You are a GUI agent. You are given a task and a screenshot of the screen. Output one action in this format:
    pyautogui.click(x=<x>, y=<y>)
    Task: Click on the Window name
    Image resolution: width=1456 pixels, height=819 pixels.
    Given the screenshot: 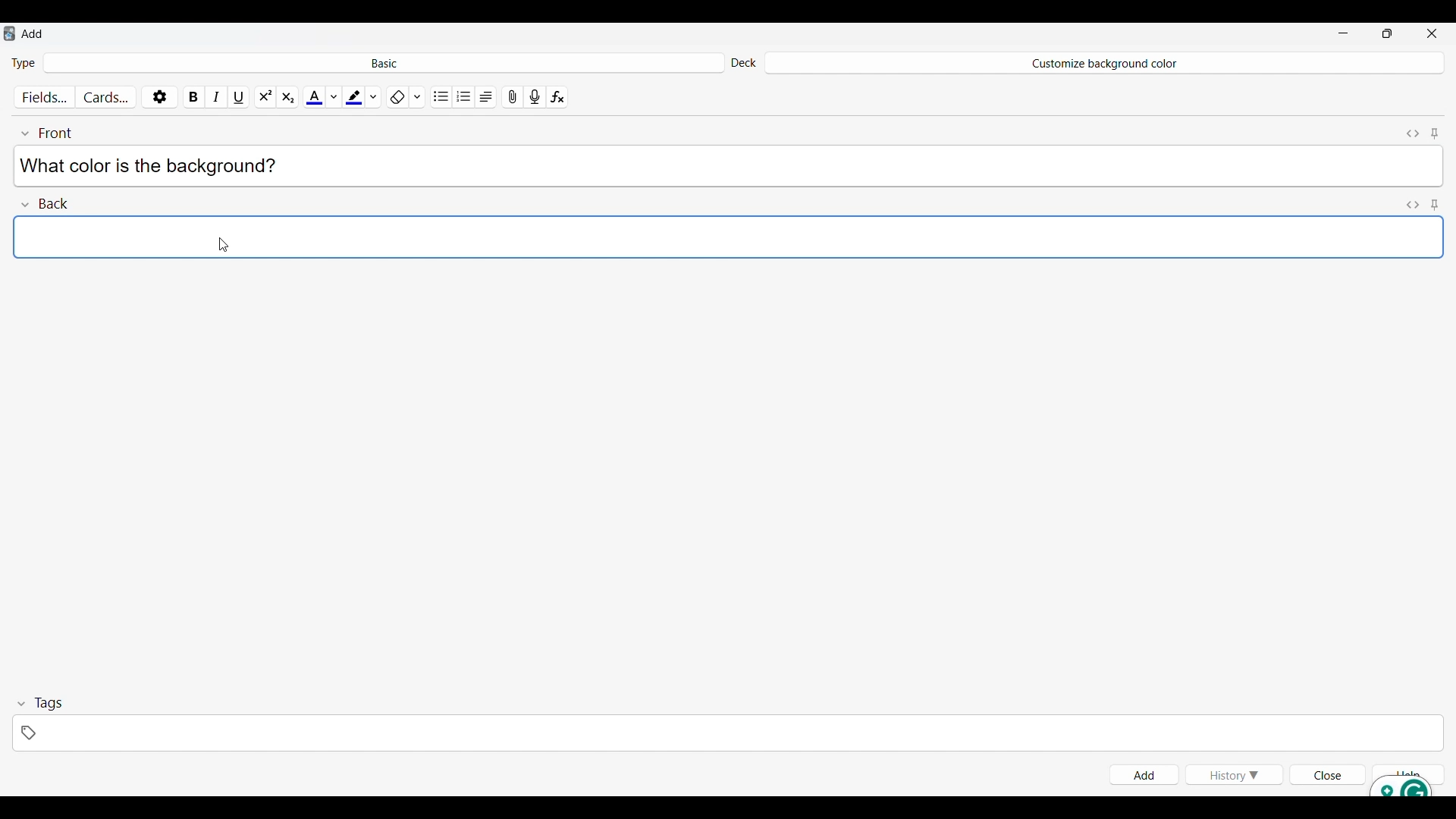 What is the action you would take?
    pyautogui.click(x=33, y=33)
    